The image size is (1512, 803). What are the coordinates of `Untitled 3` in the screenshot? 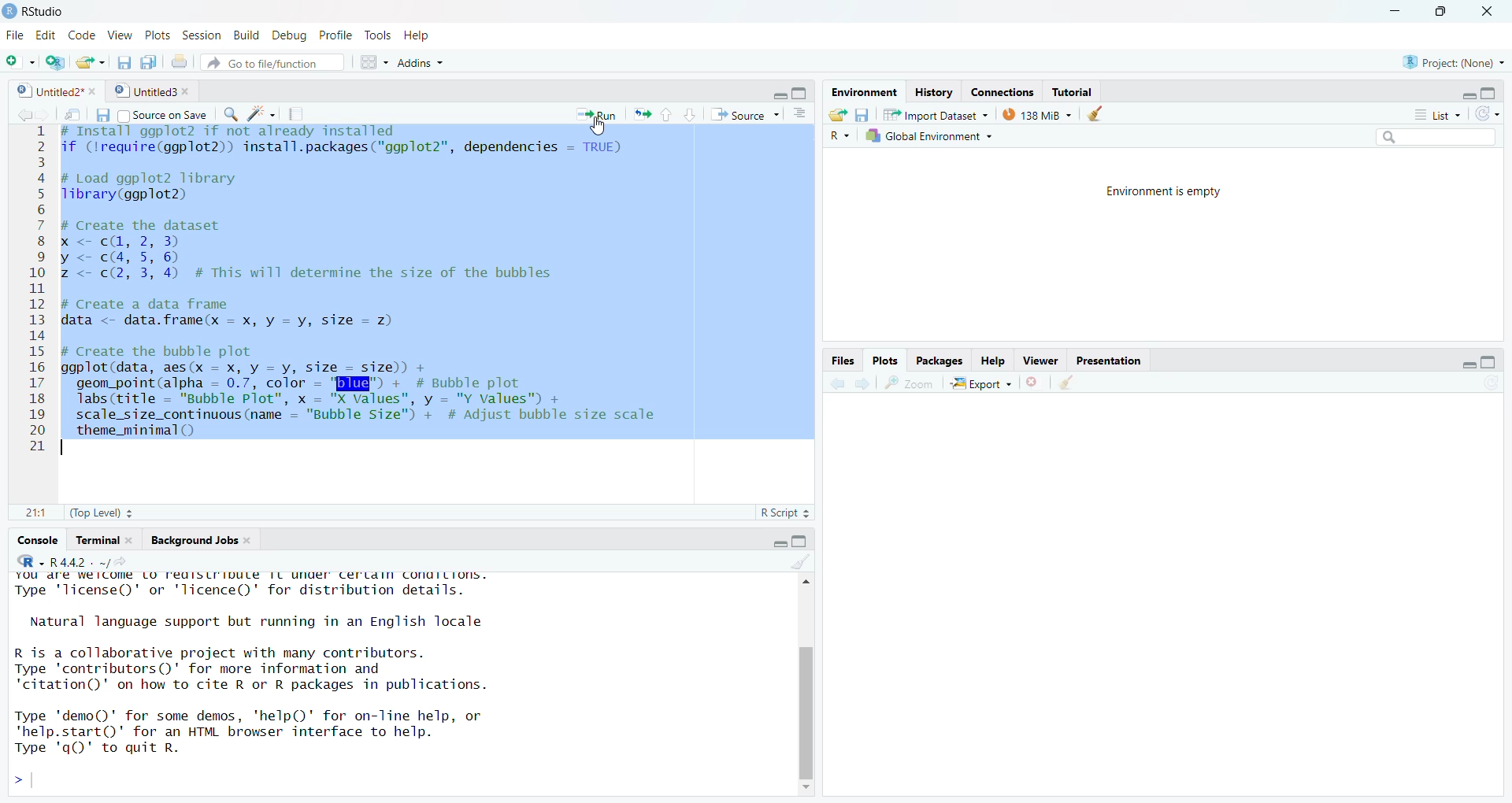 It's located at (152, 91).